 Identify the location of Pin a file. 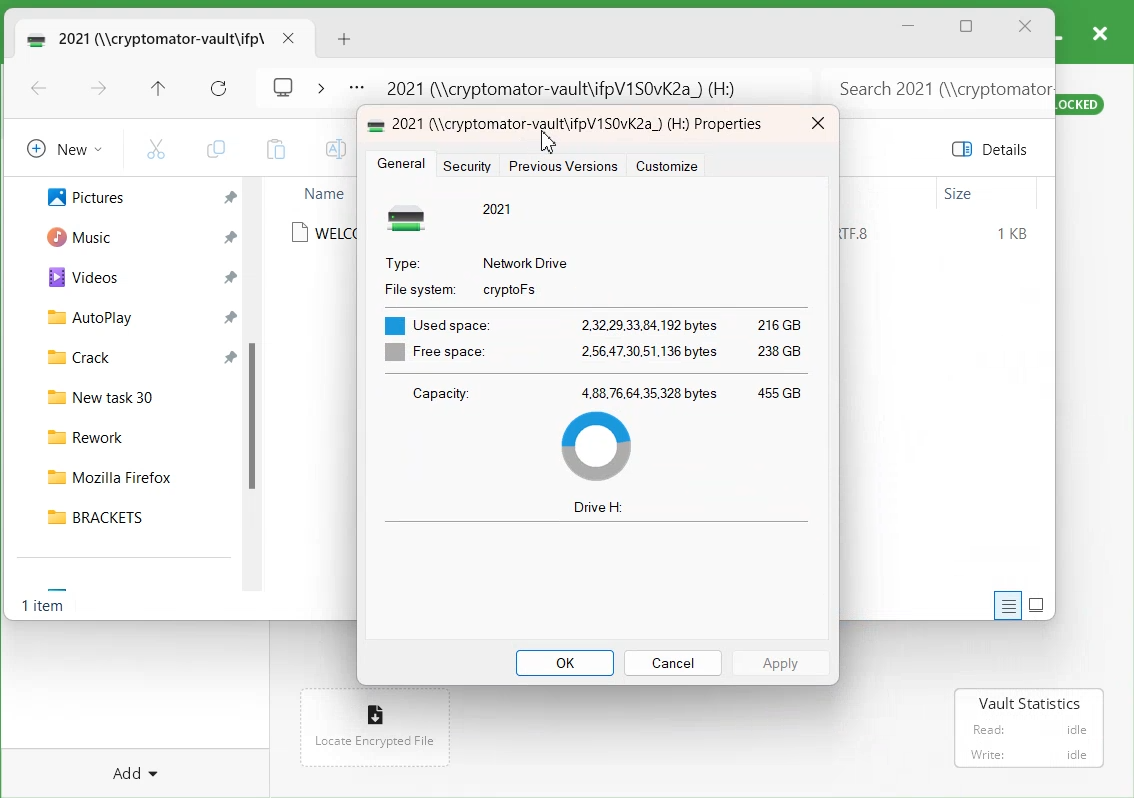
(231, 316).